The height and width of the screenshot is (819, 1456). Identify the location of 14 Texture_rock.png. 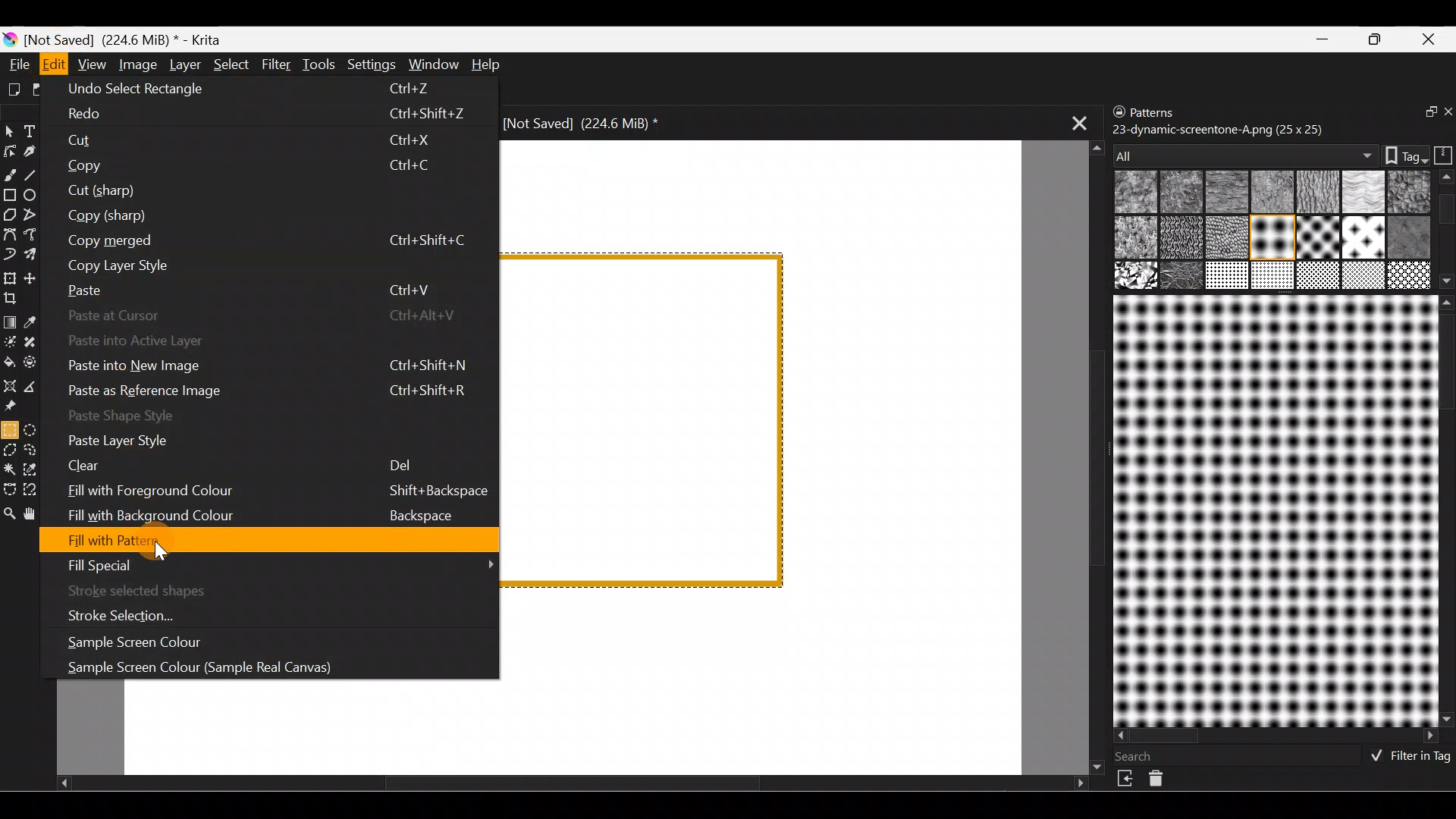
(1137, 277).